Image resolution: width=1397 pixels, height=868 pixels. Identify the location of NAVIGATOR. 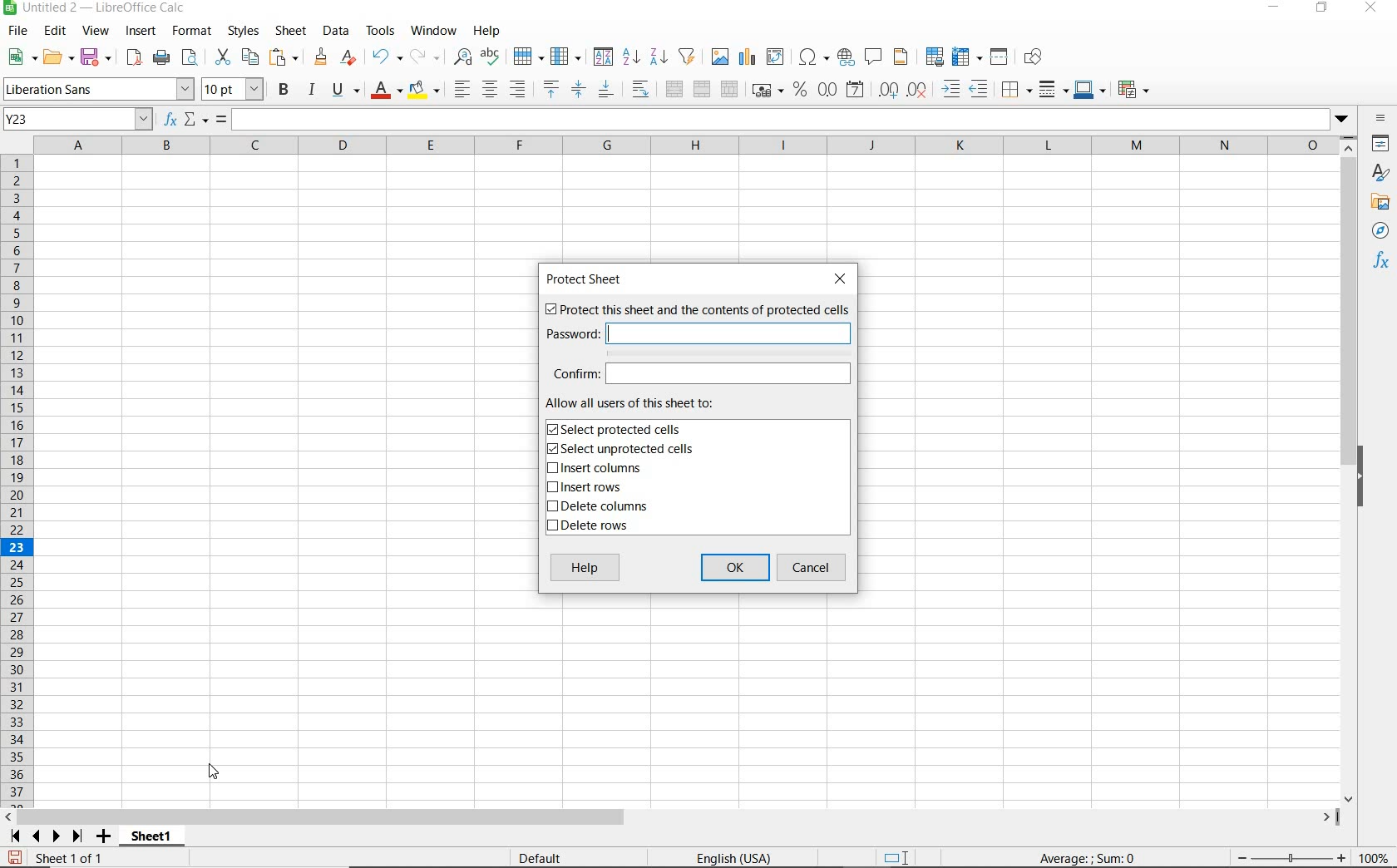
(1380, 232).